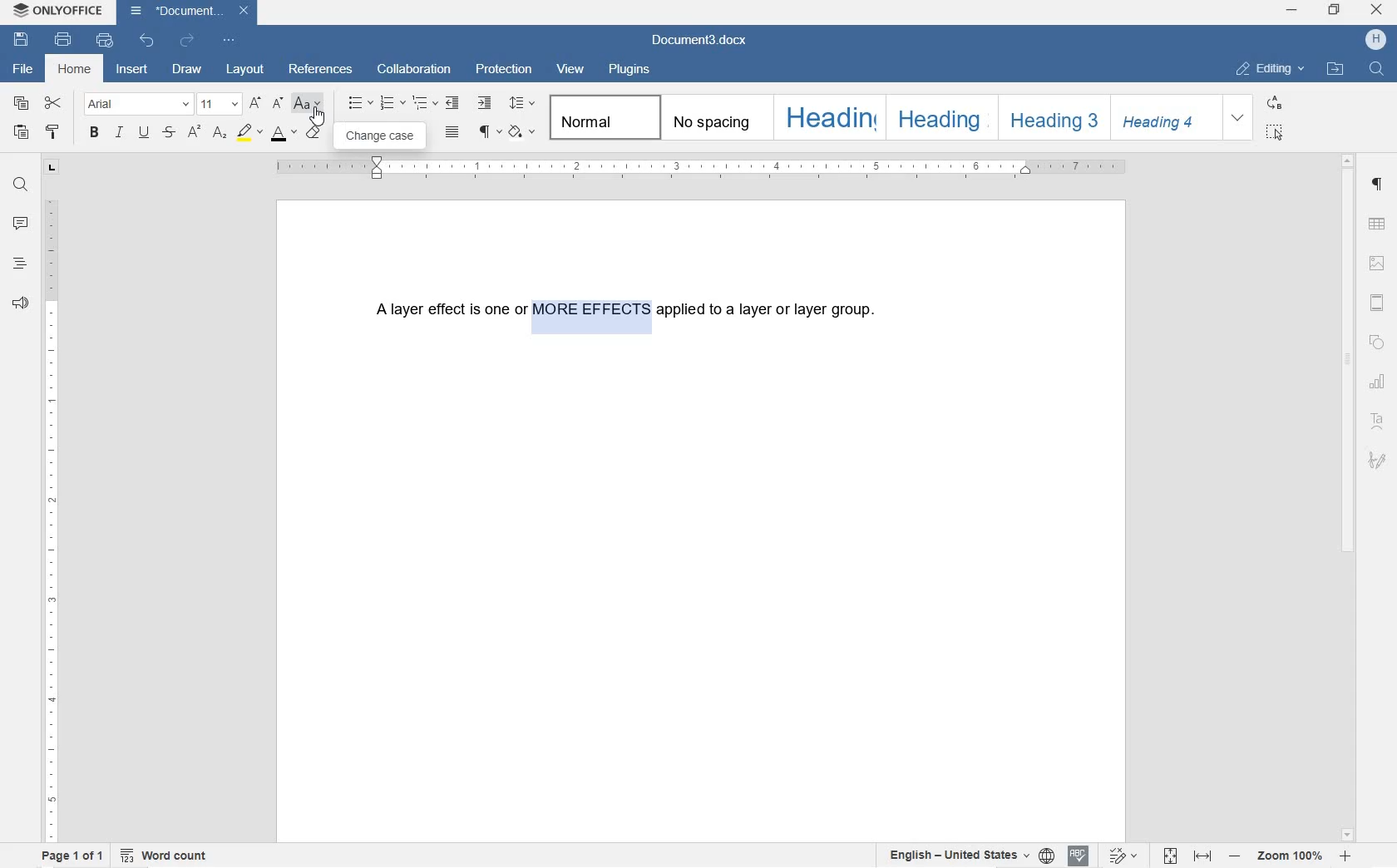 This screenshot has width=1397, height=868. What do you see at coordinates (144, 133) in the screenshot?
I see `UNDERLINE` at bounding box center [144, 133].